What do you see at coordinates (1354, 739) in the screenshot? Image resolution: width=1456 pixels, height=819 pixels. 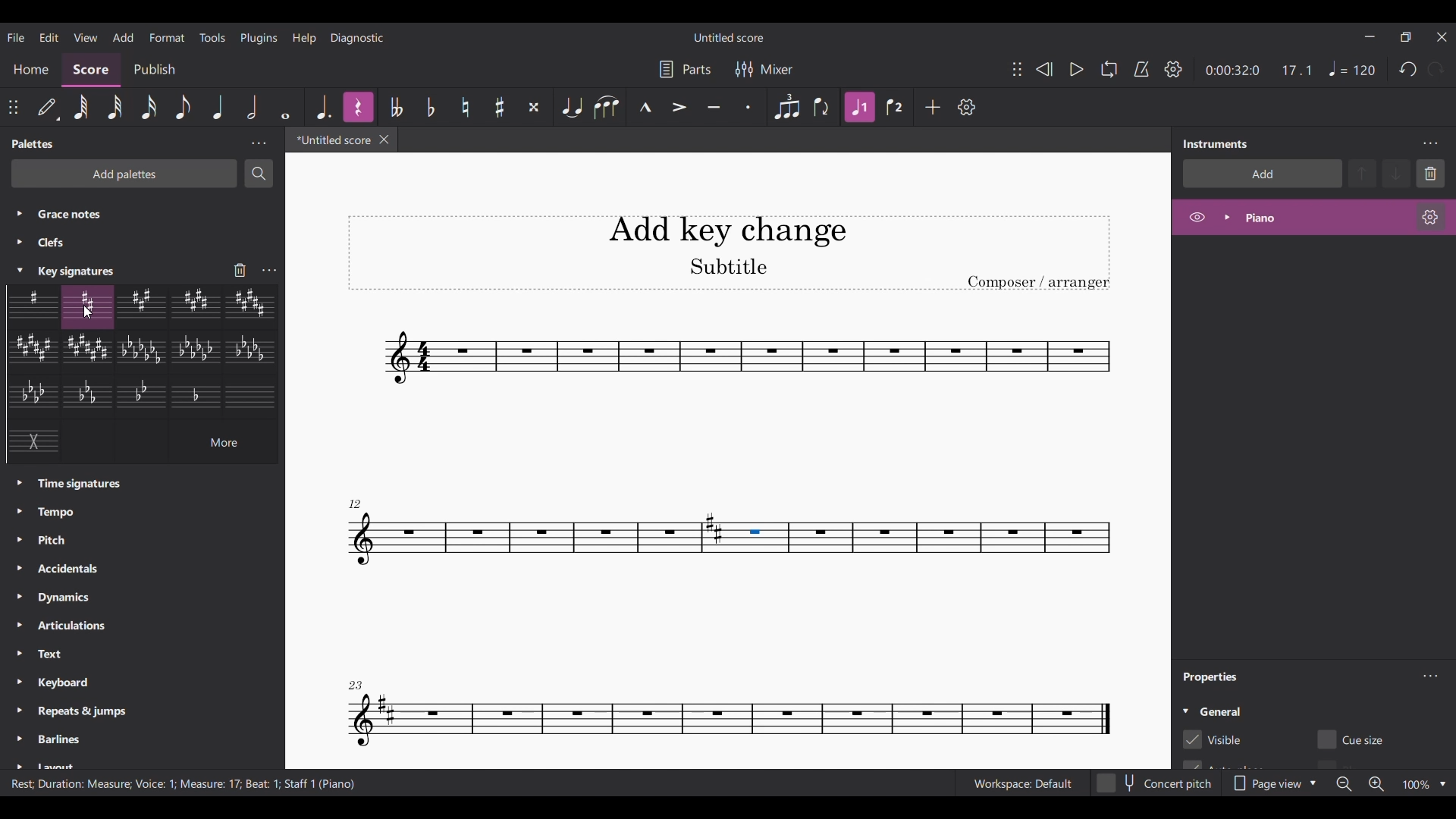 I see `Toggle for Cue size` at bounding box center [1354, 739].